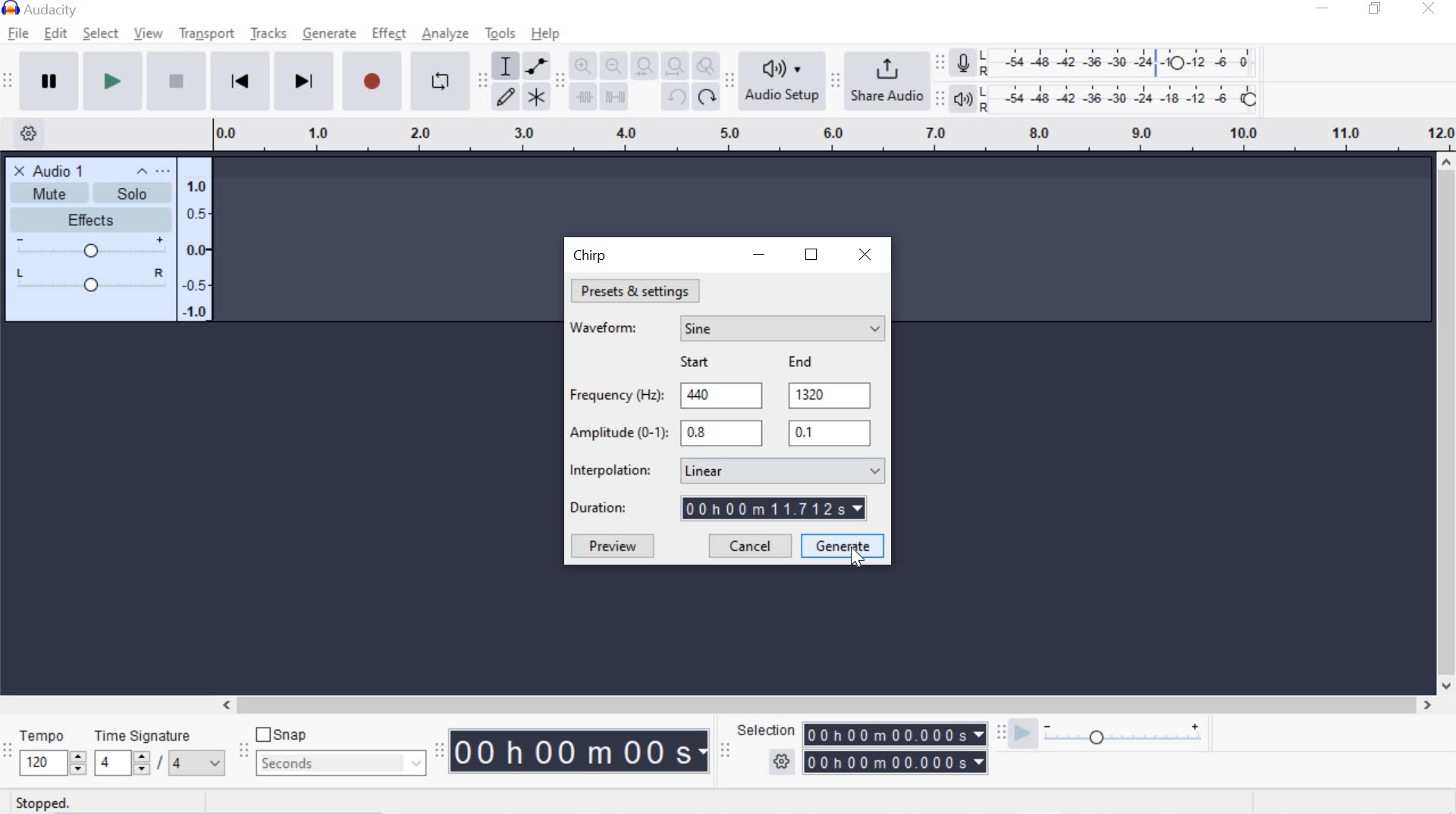  I want to click on Duration, so click(601, 506).